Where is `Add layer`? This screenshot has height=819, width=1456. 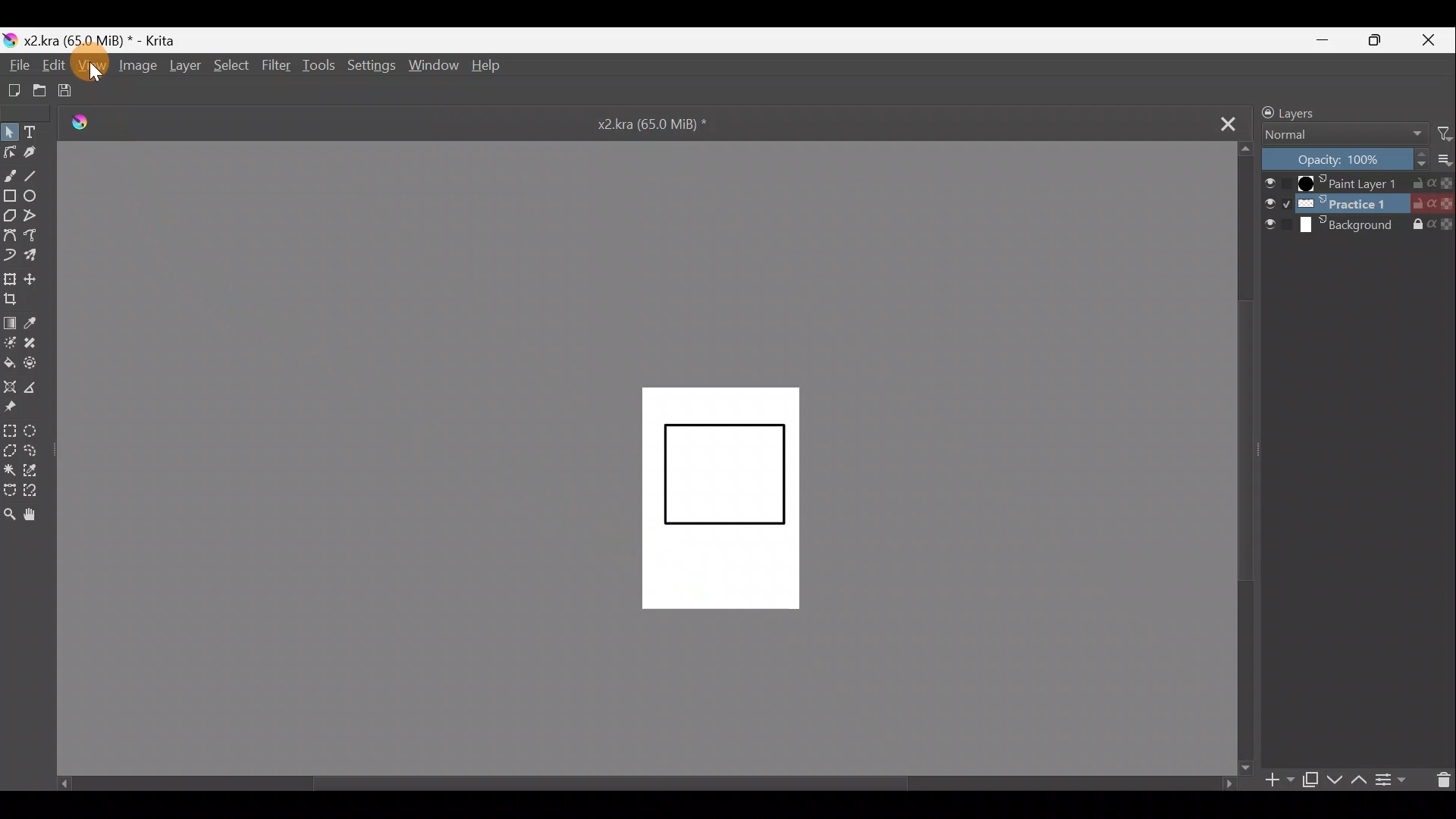 Add layer is located at coordinates (1282, 782).